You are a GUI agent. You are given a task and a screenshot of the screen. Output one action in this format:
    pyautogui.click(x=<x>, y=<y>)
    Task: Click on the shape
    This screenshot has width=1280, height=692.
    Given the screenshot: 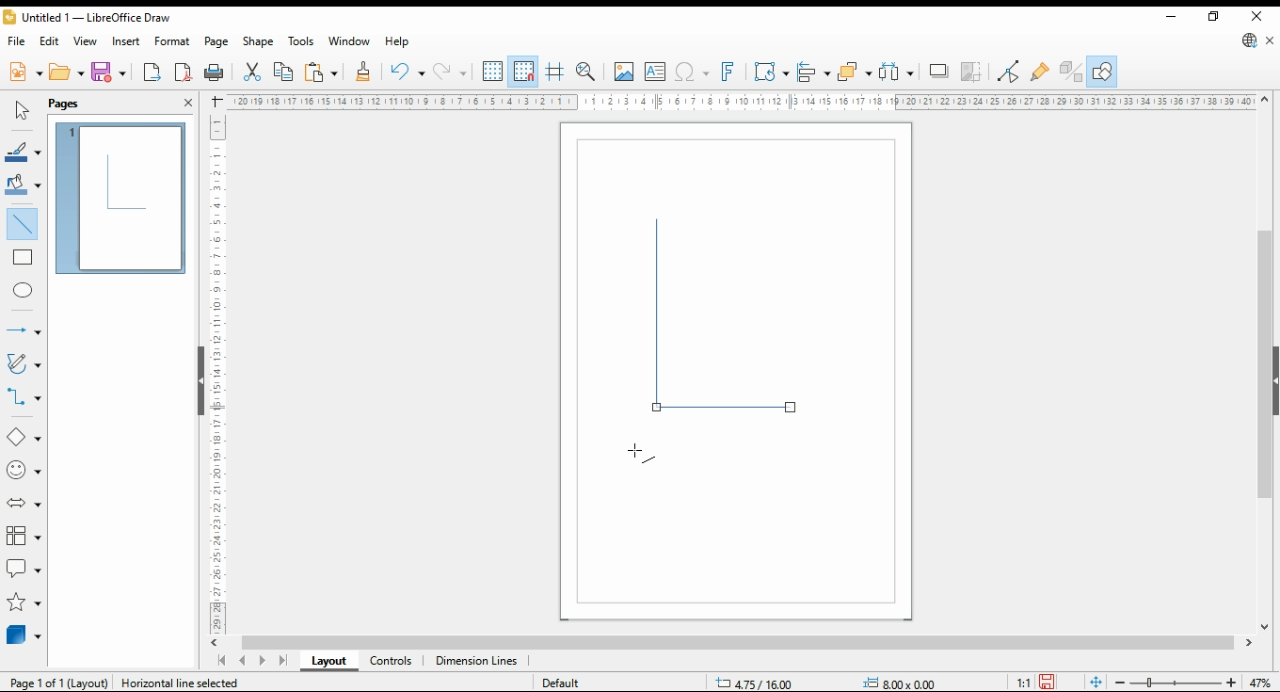 What is the action you would take?
    pyautogui.click(x=259, y=43)
    